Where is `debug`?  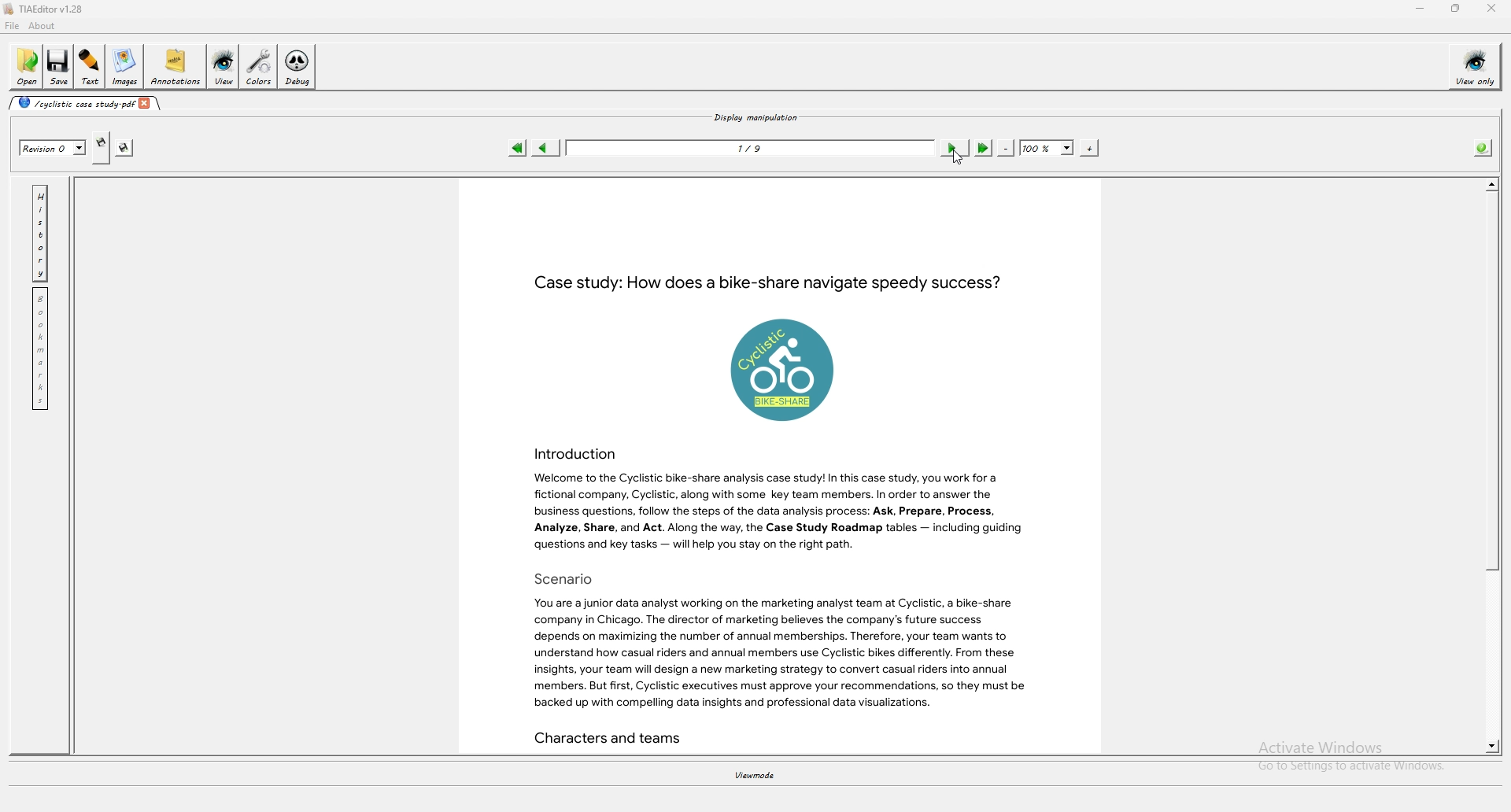 debug is located at coordinates (297, 67).